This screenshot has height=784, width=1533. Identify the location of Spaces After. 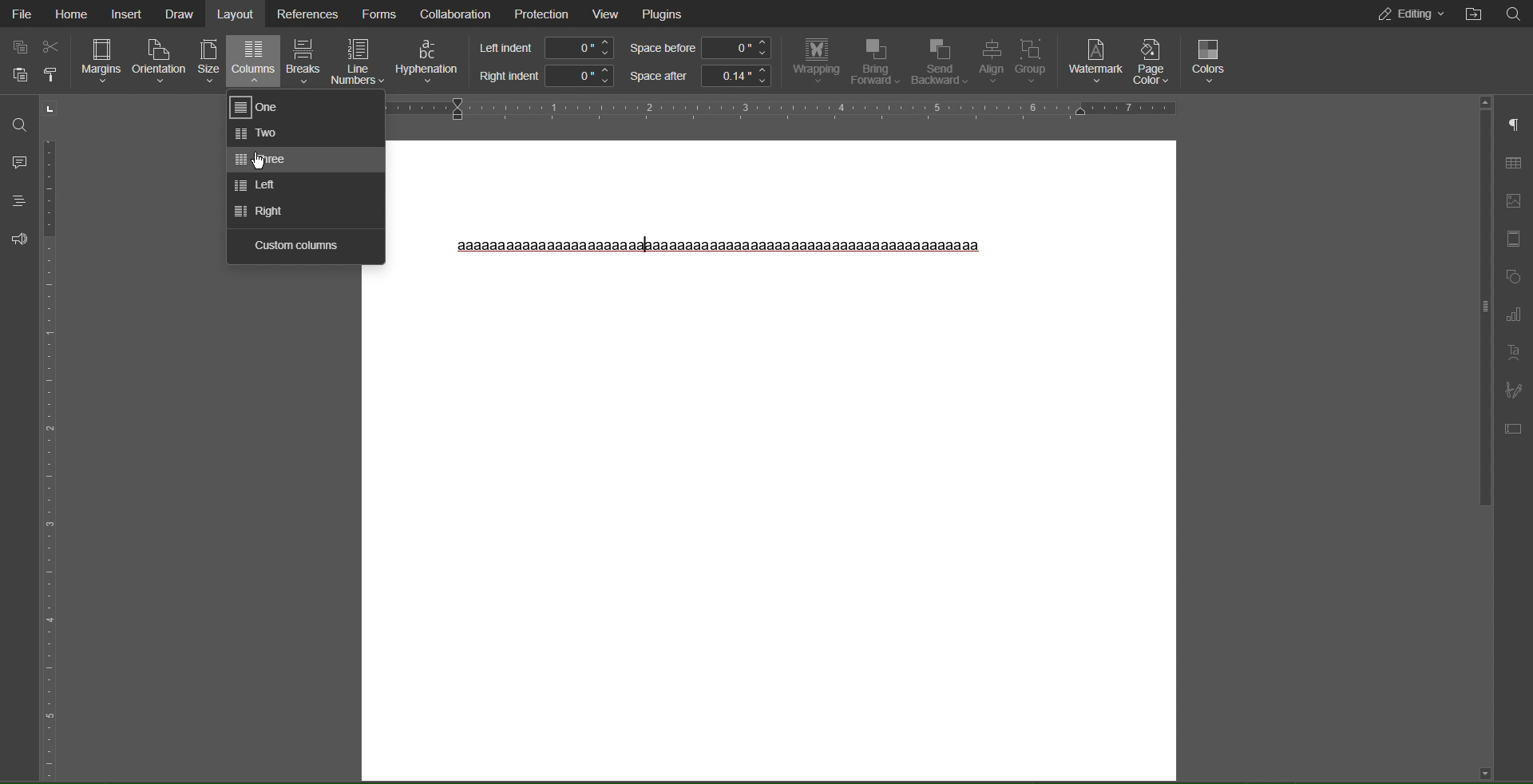
(700, 77).